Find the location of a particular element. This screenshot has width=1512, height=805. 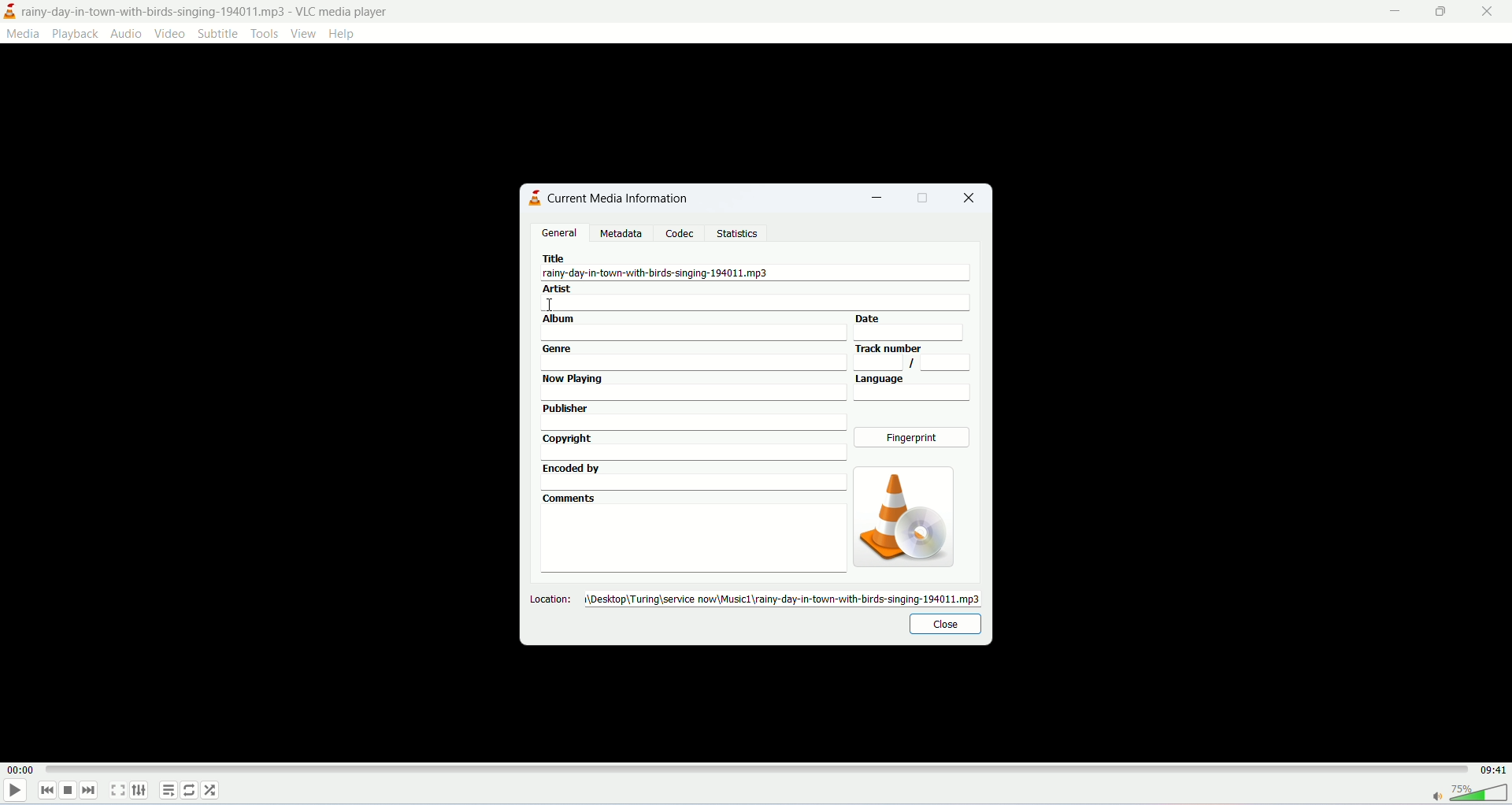

minimize is located at coordinates (1395, 9).